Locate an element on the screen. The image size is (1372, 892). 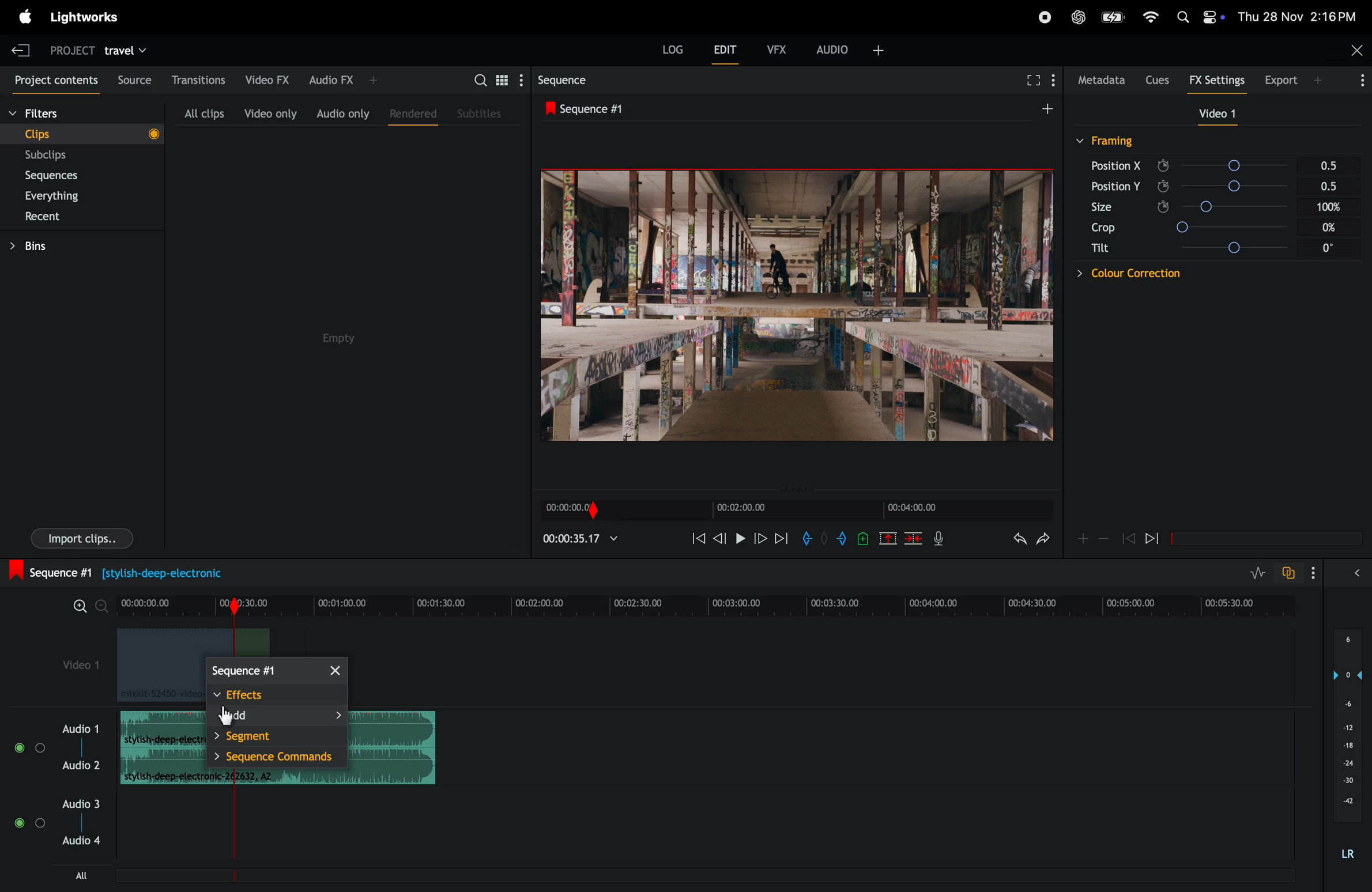
project is located at coordinates (66, 50).